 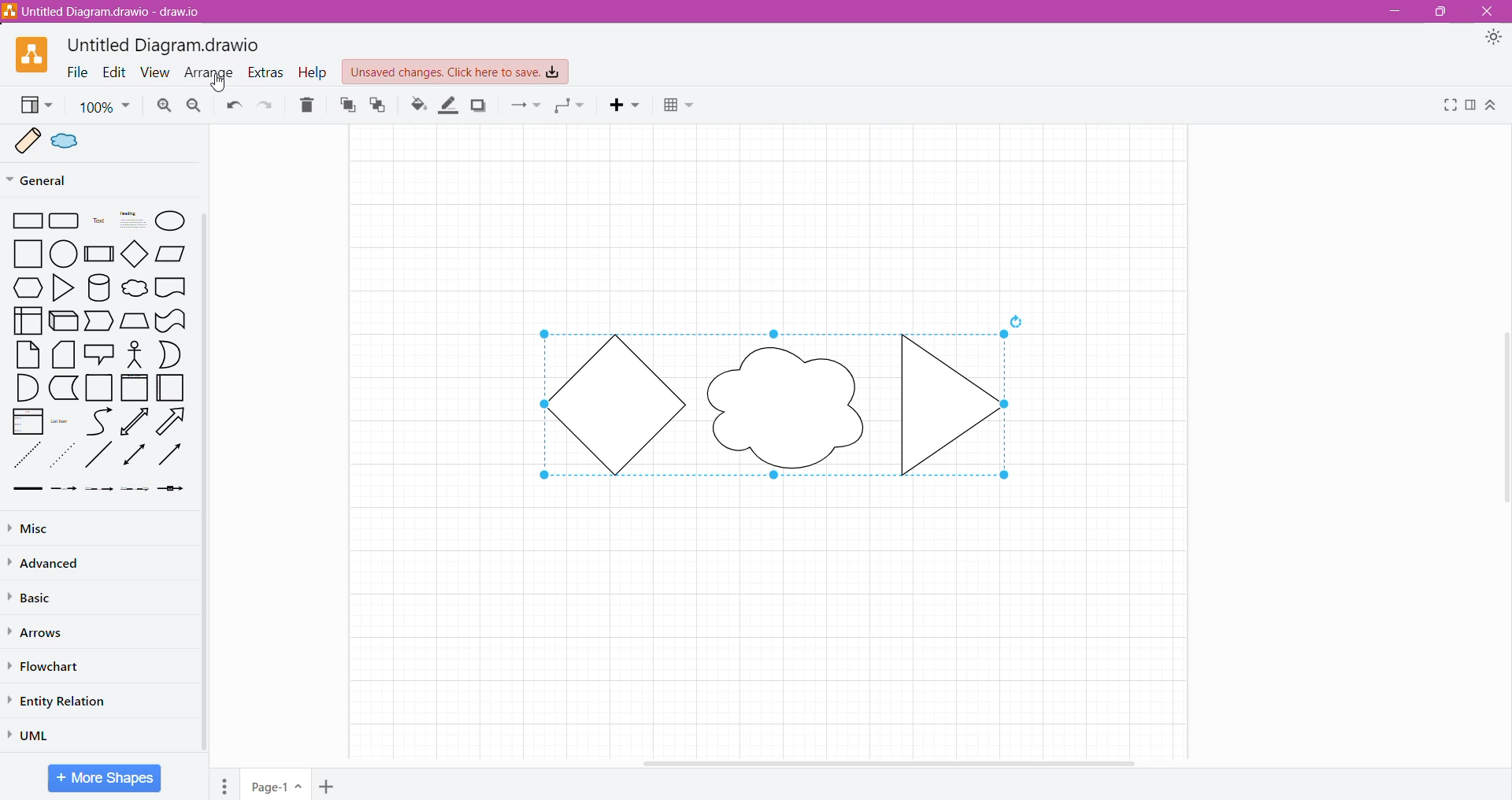 What do you see at coordinates (1447, 106) in the screenshot?
I see `Fullscreen` at bounding box center [1447, 106].